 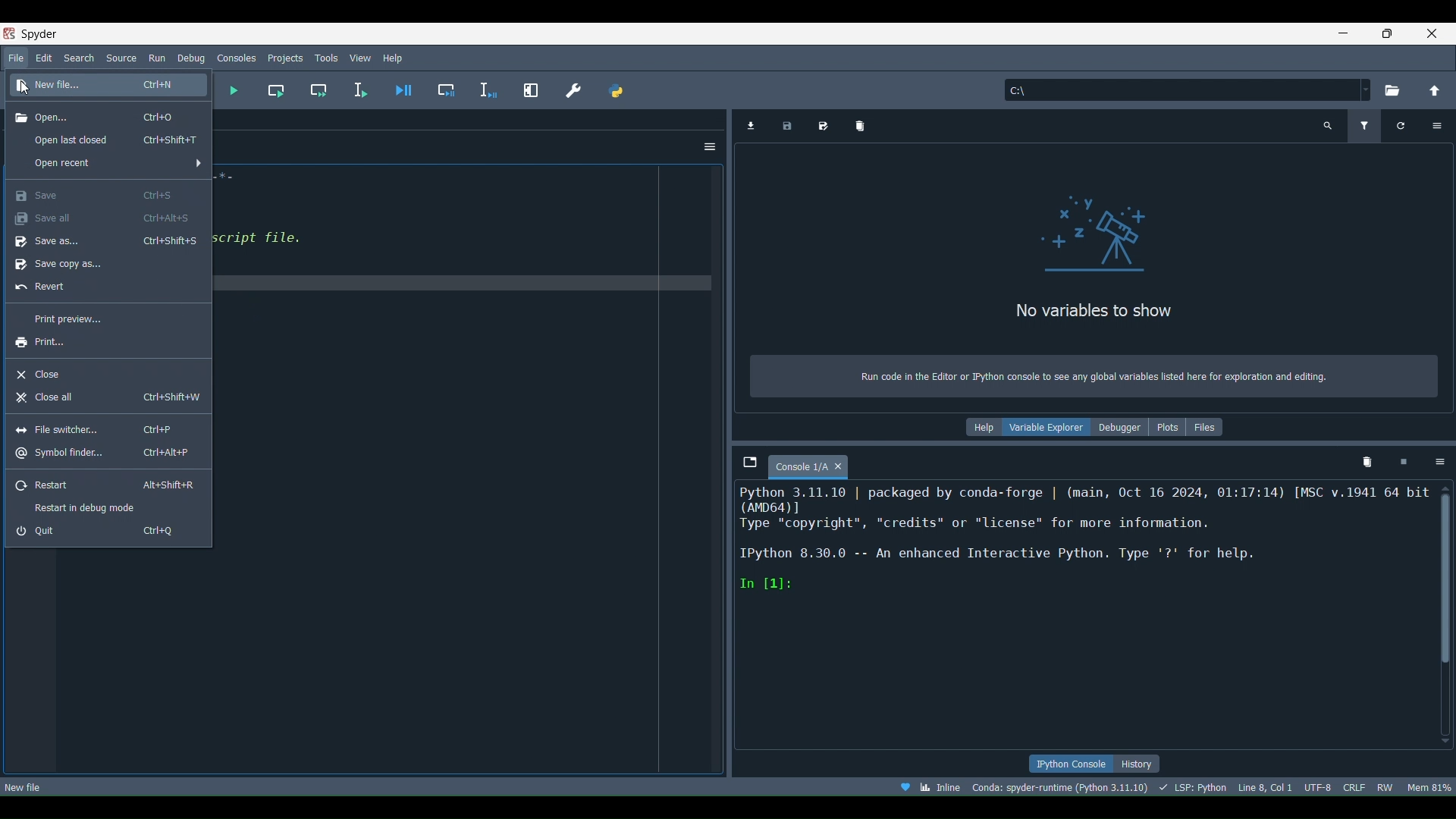 I want to click on Revert, so click(x=49, y=285).